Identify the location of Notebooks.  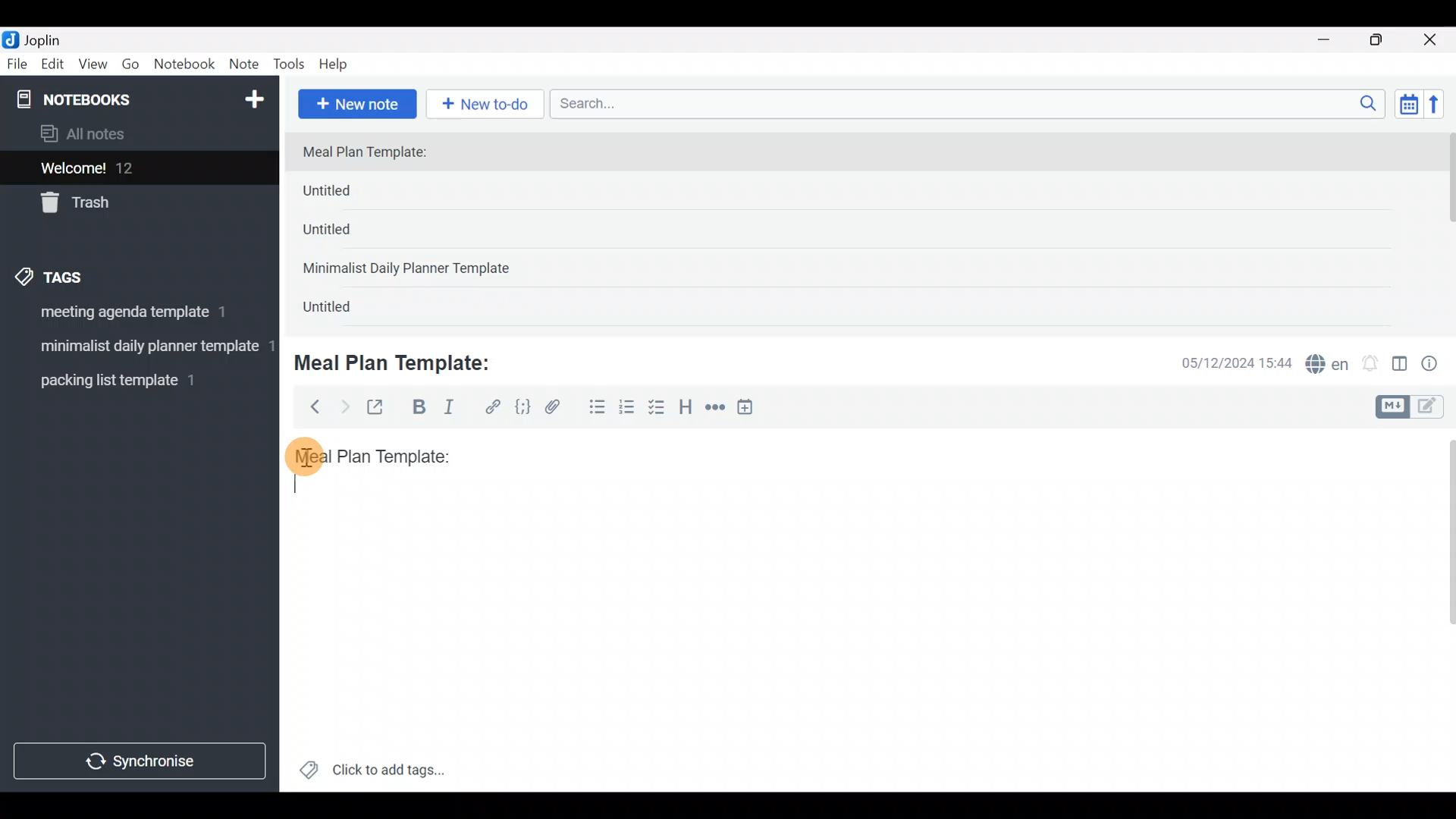
(107, 99).